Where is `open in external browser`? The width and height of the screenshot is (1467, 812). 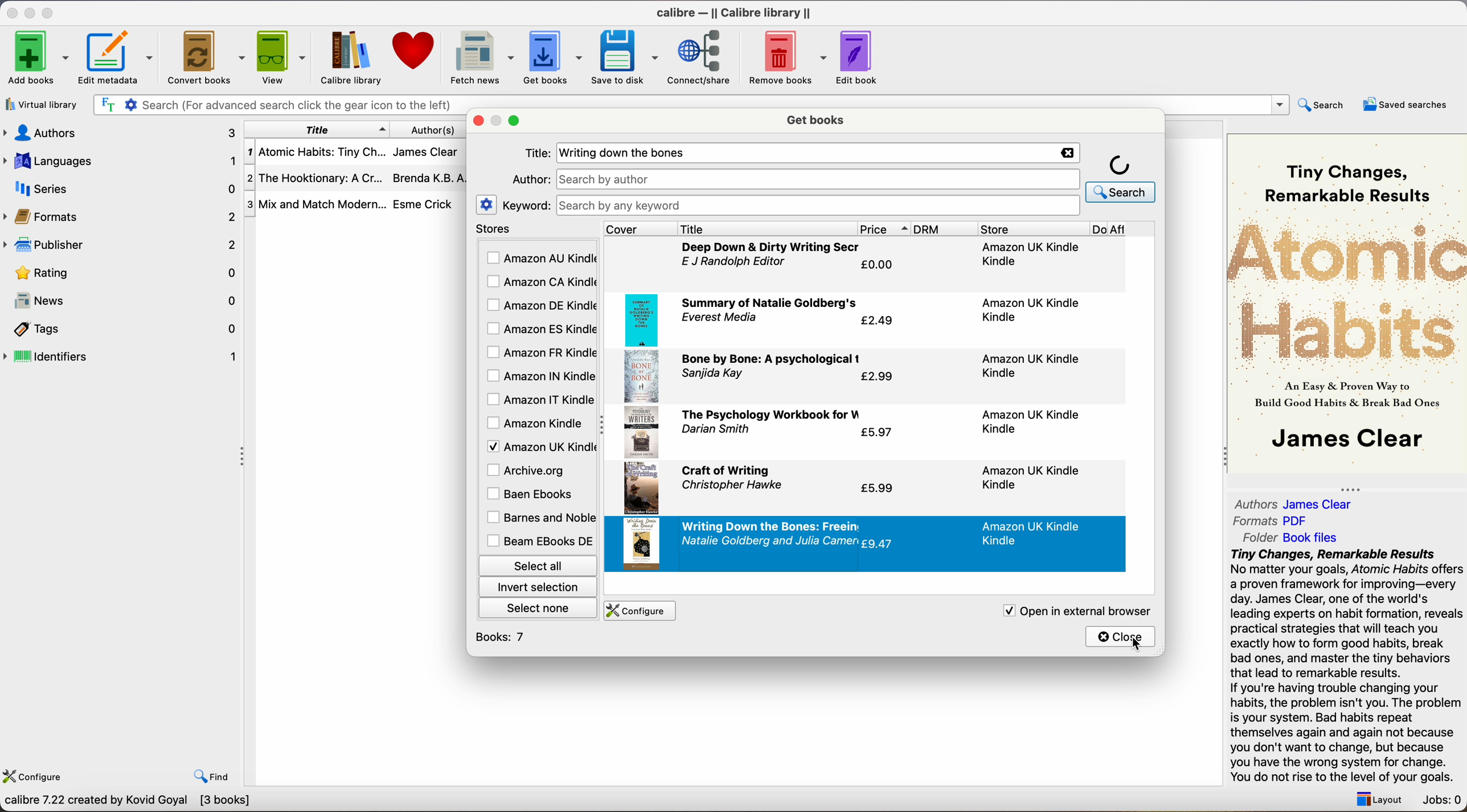
open in external browser is located at coordinates (1073, 610).